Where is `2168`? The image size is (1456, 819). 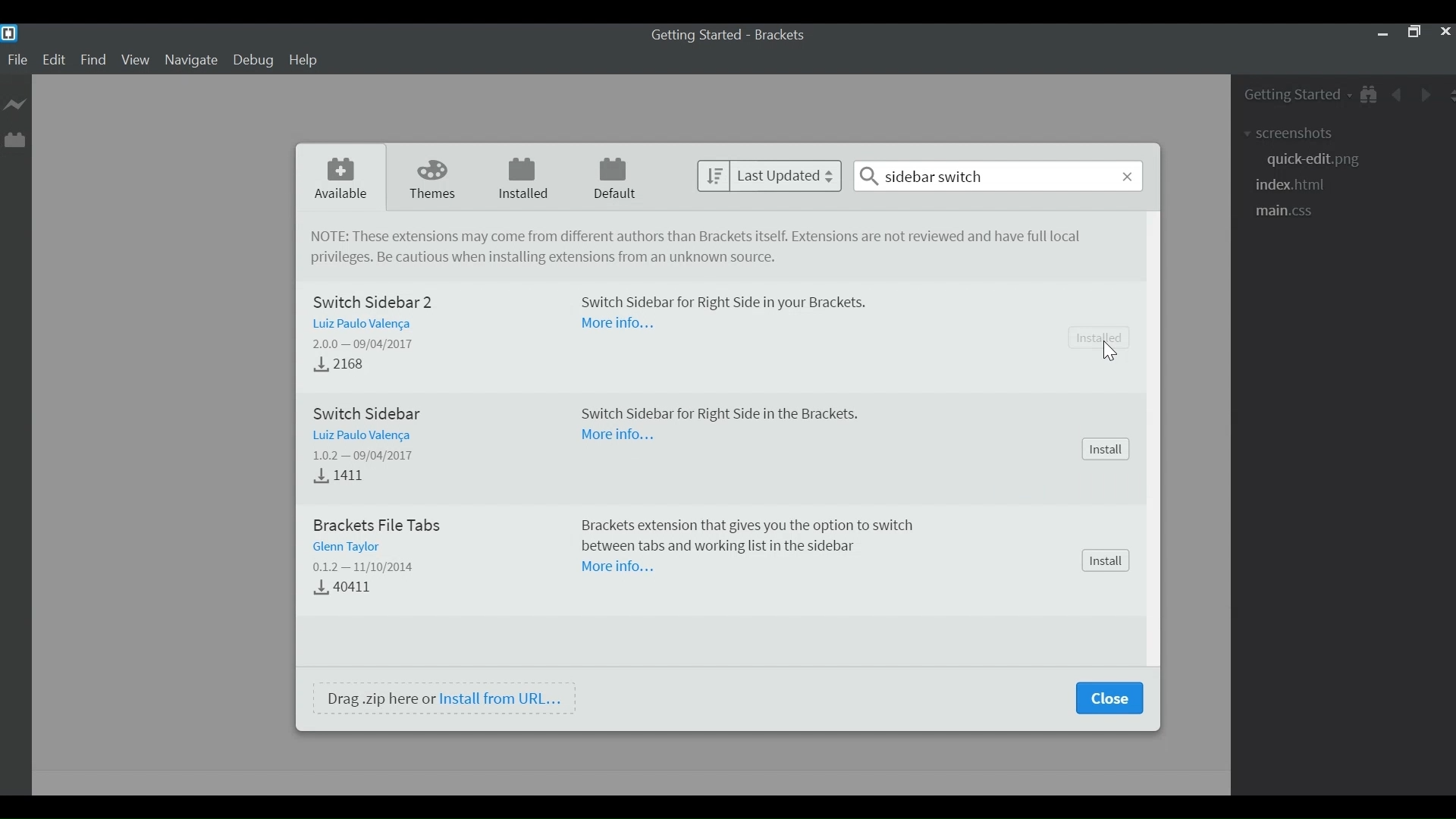 2168 is located at coordinates (337, 366).